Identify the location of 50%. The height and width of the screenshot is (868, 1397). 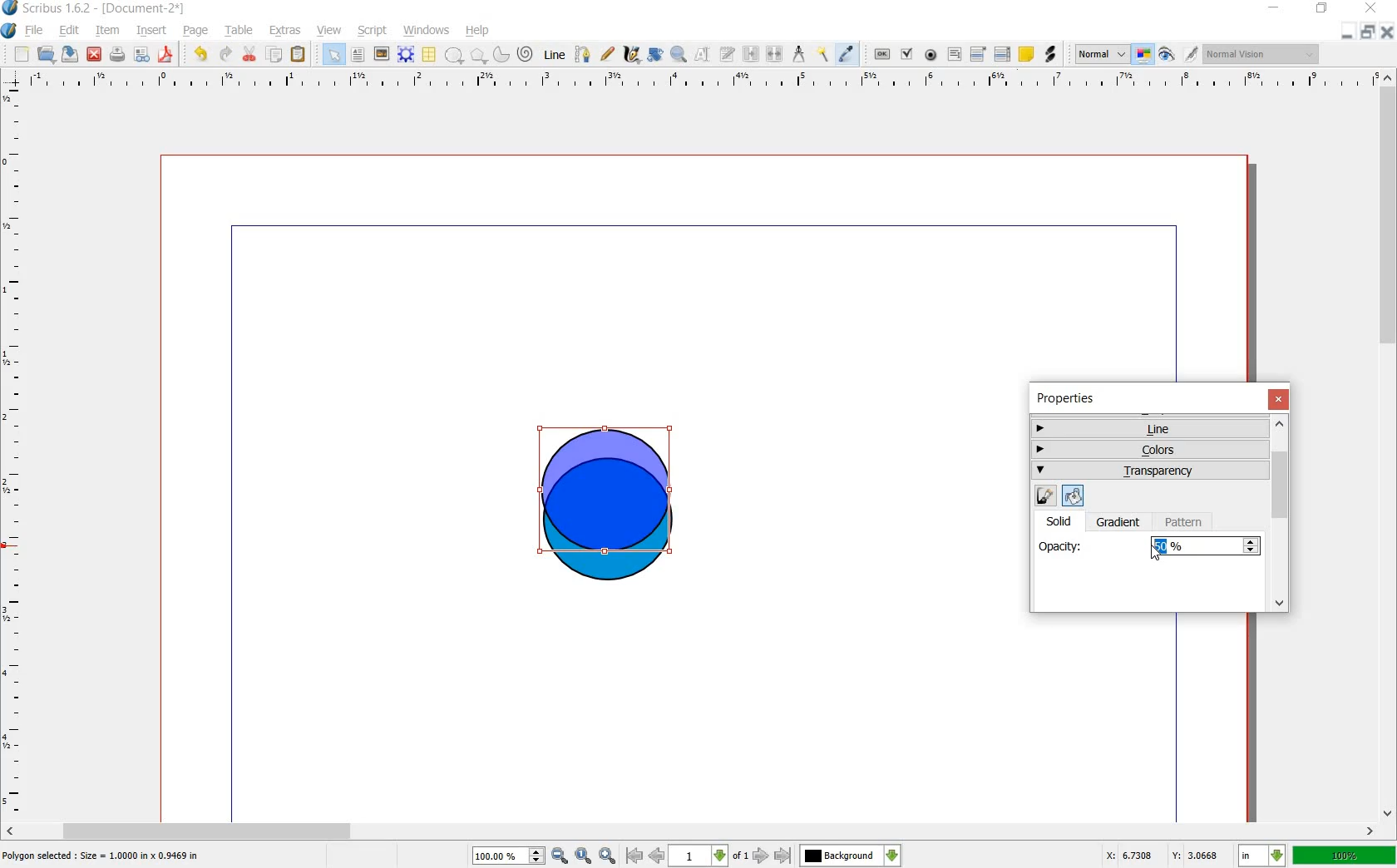
(1194, 546).